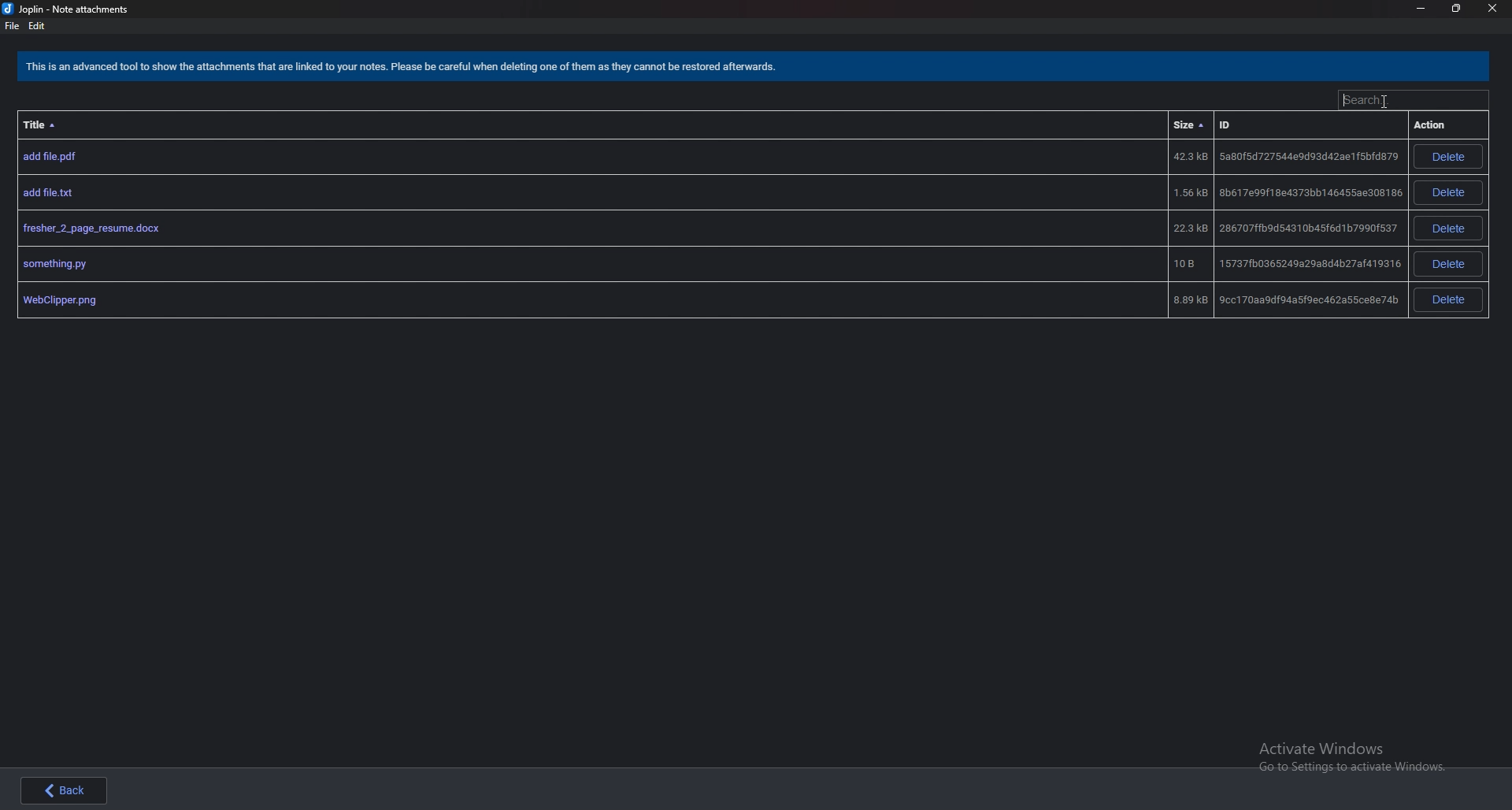  What do you see at coordinates (1358, 759) in the screenshot?
I see `Activate windows pop up` at bounding box center [1358, 759].